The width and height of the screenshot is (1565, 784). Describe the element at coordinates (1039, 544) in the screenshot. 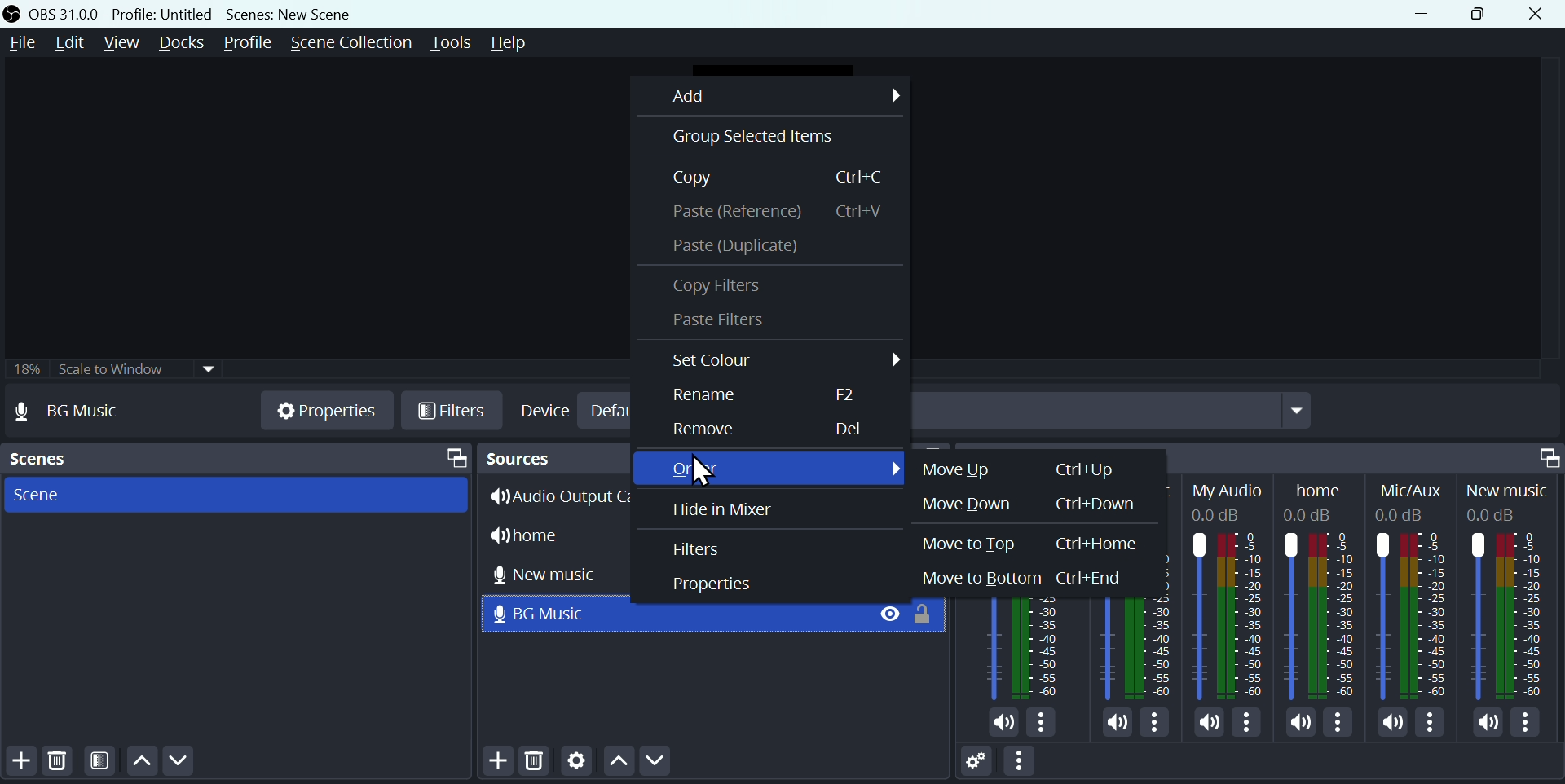

I see `Move to top` at that location.